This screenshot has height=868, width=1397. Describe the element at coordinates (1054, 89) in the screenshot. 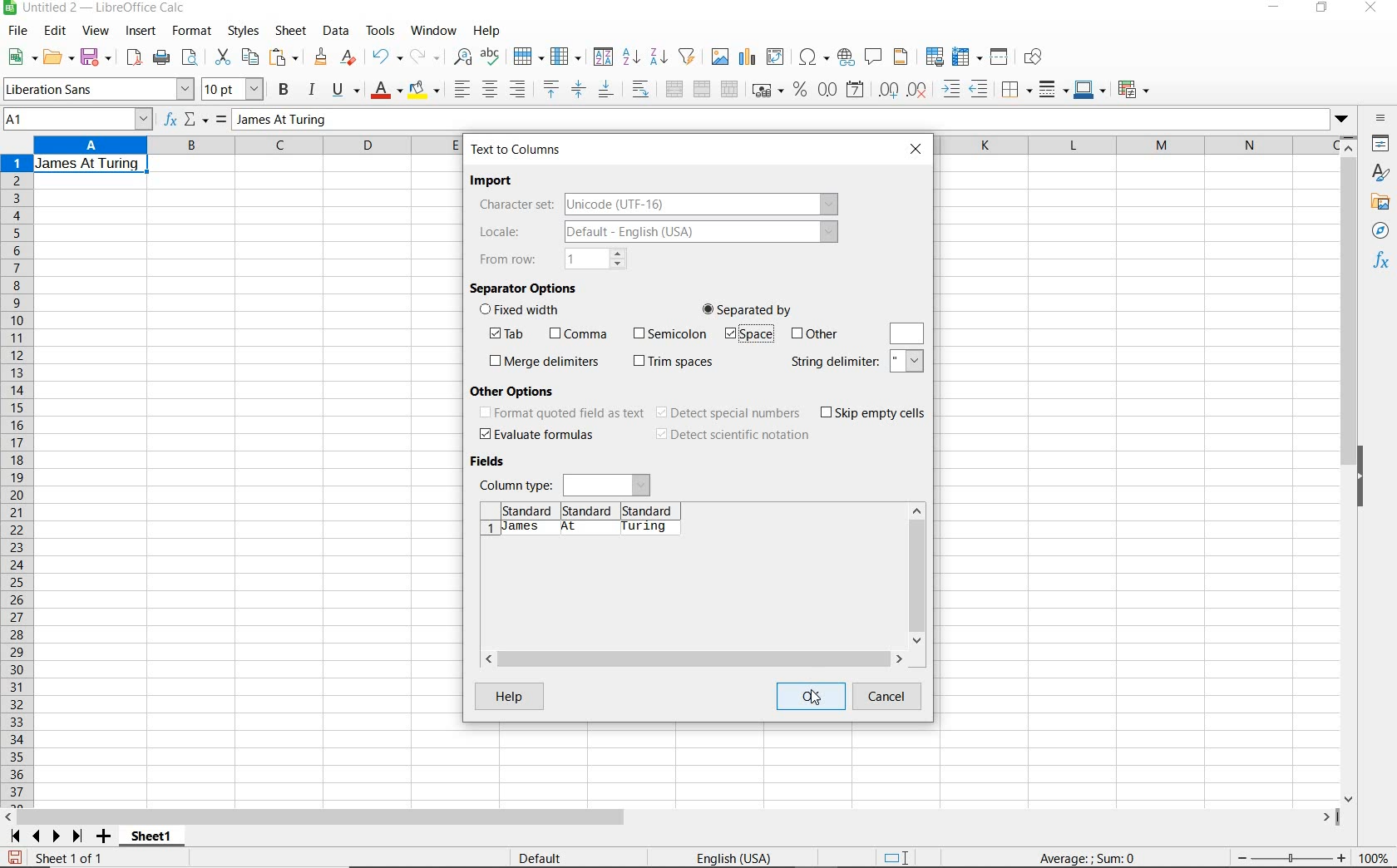

I see `border style` at that location.